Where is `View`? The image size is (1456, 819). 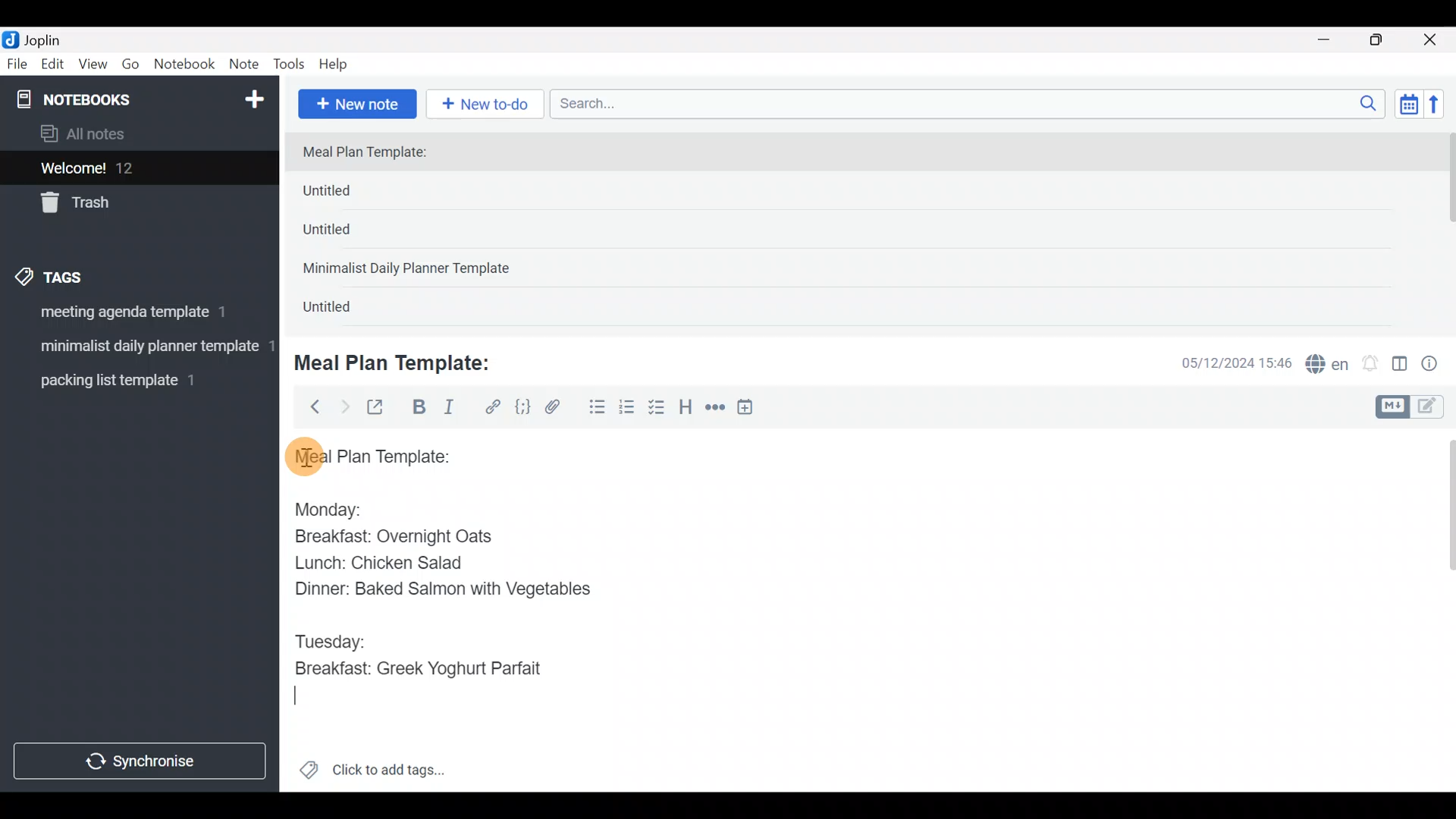
View is located at coordinates (93, 67).